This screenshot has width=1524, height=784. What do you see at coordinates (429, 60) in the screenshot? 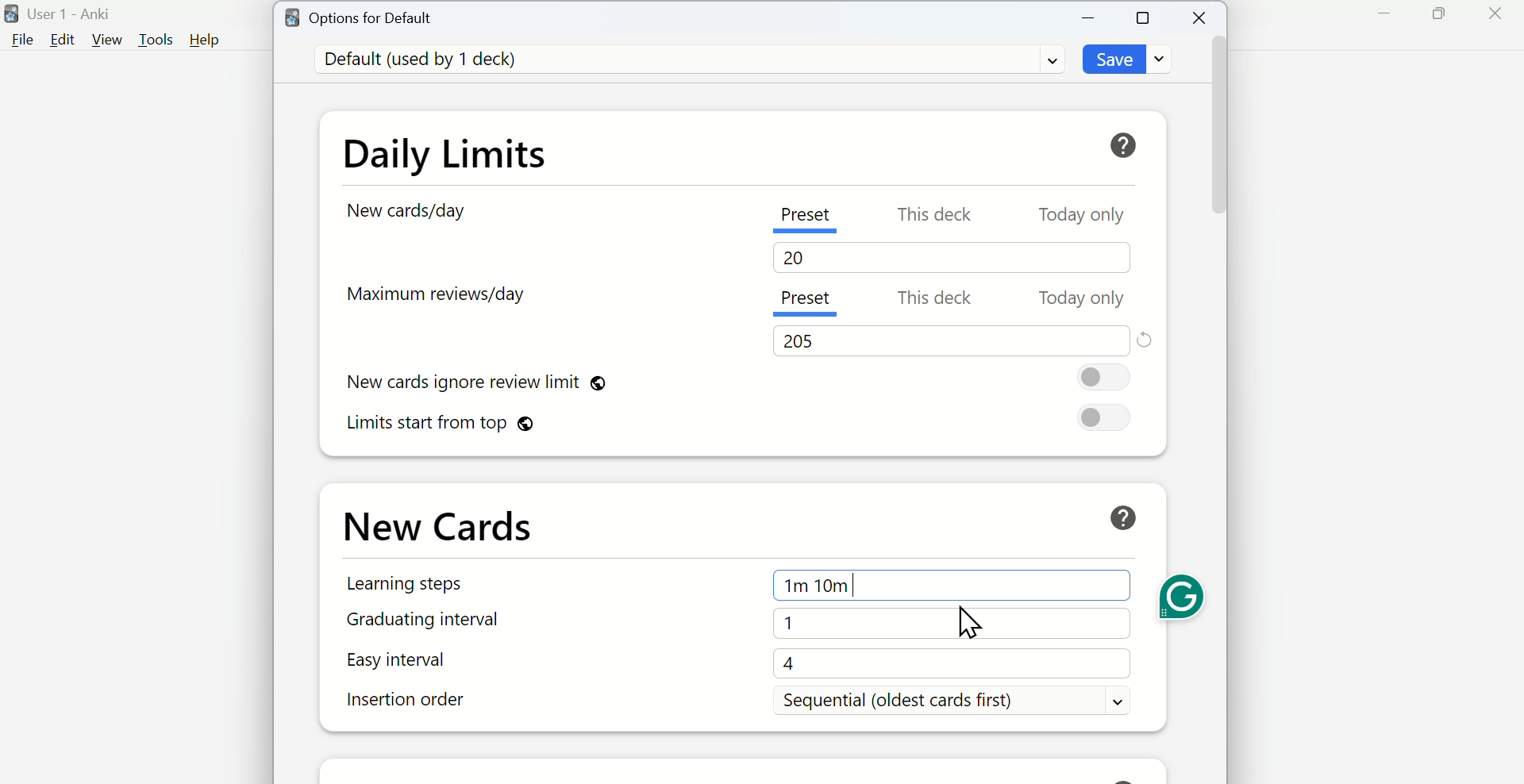
I see `Default (used by 1 deck)` at bounding box center [429, 60].